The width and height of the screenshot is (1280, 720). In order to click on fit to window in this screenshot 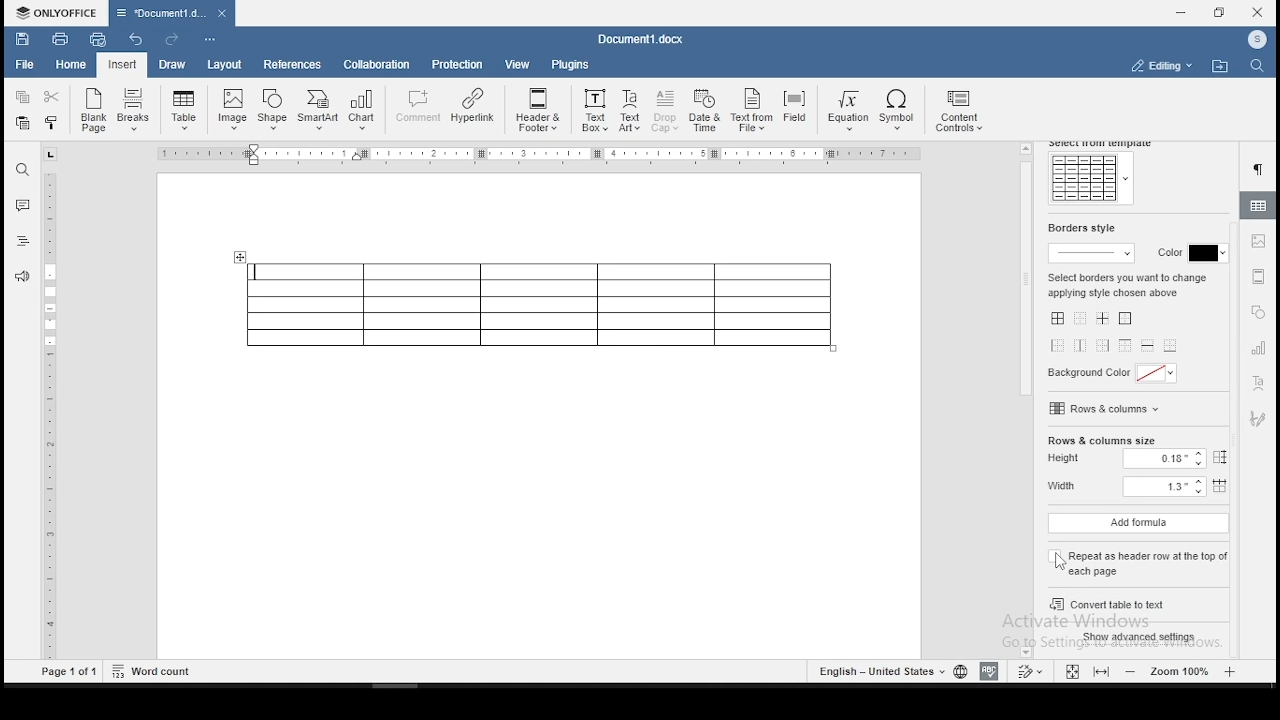, I will do `click(1071, 671)`.